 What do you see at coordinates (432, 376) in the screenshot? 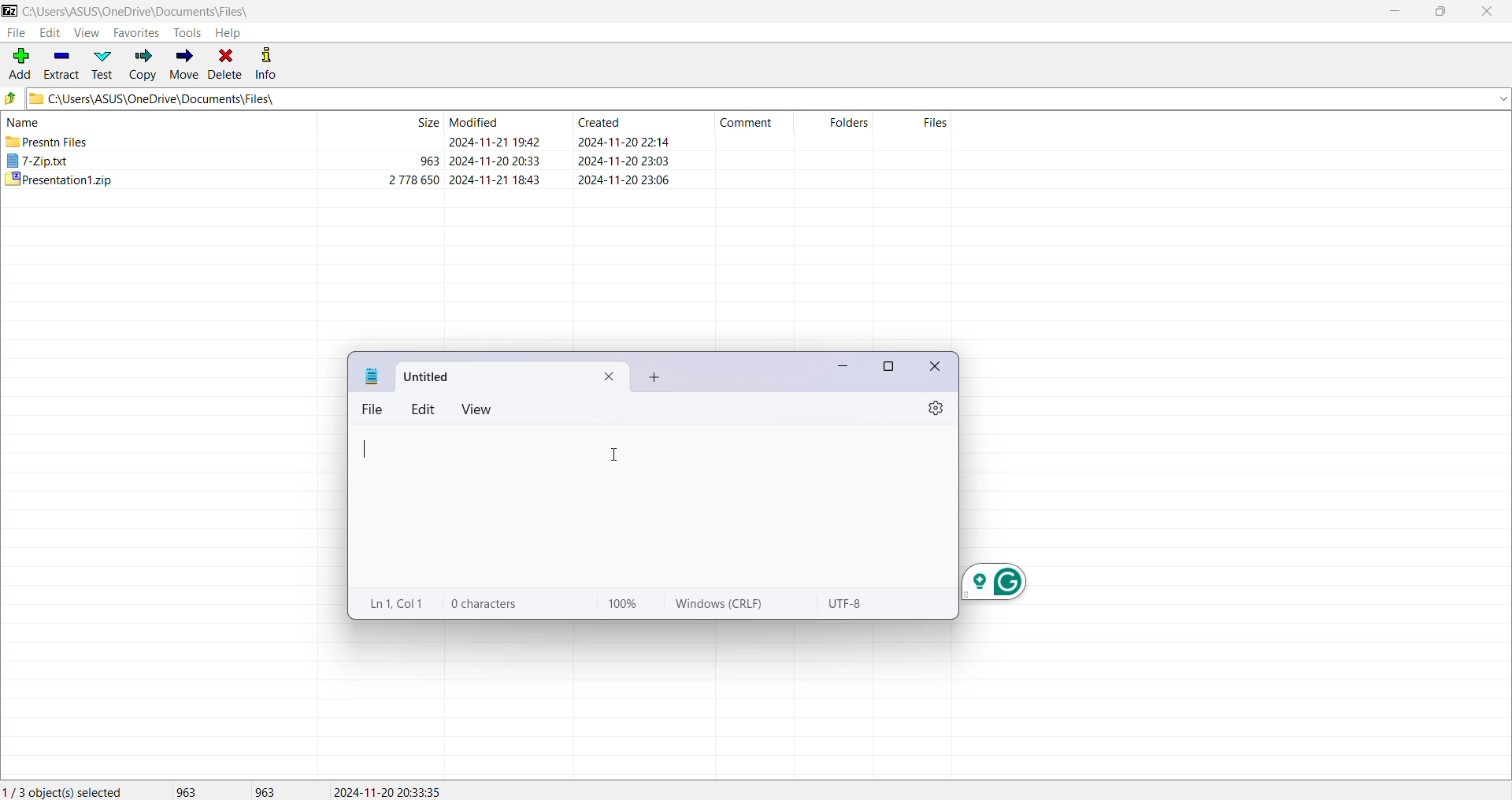
I see `title` at bounding box center [432, 376].